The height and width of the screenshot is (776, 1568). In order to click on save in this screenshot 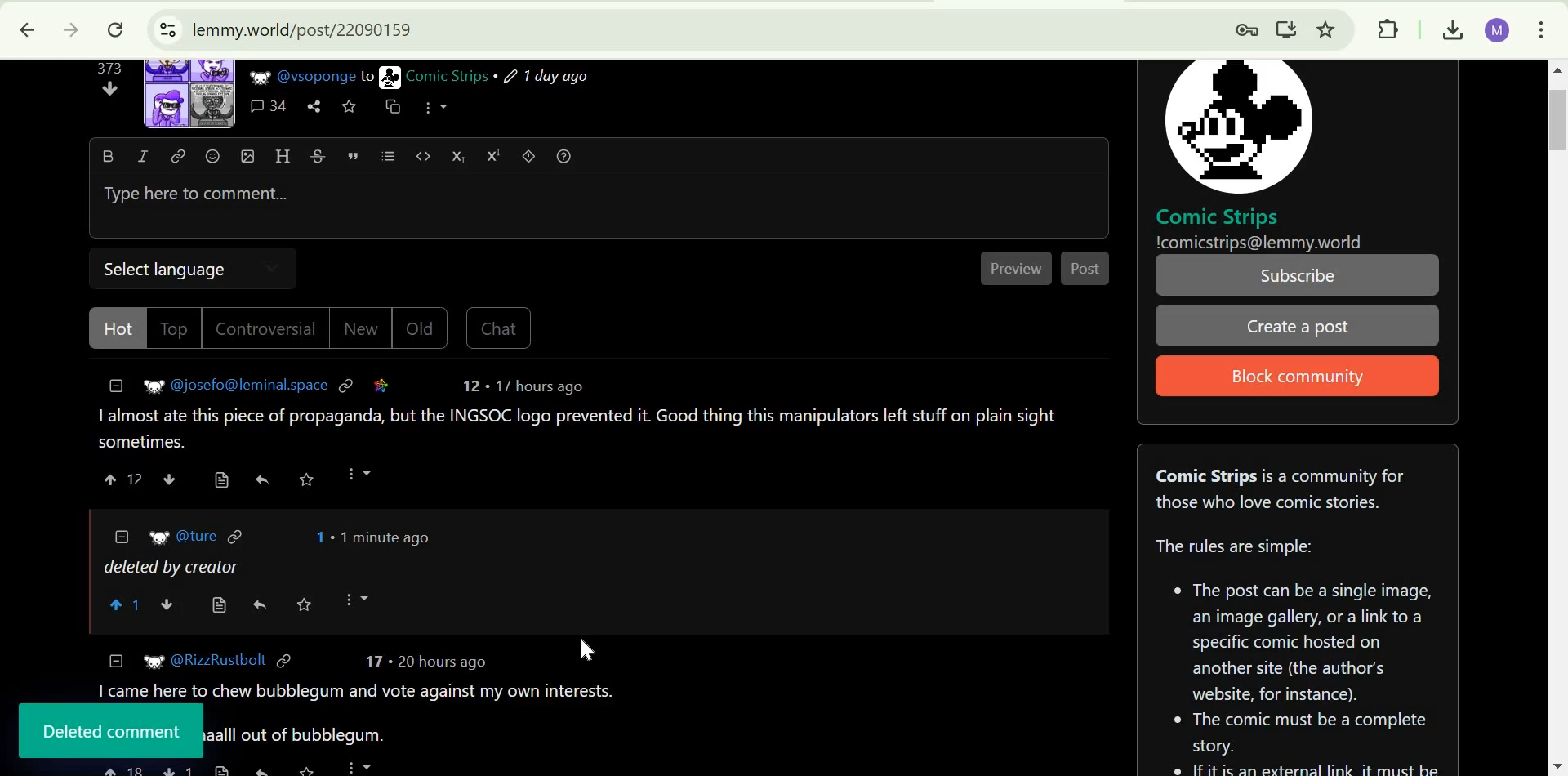, I will do `click(312, 769)`.